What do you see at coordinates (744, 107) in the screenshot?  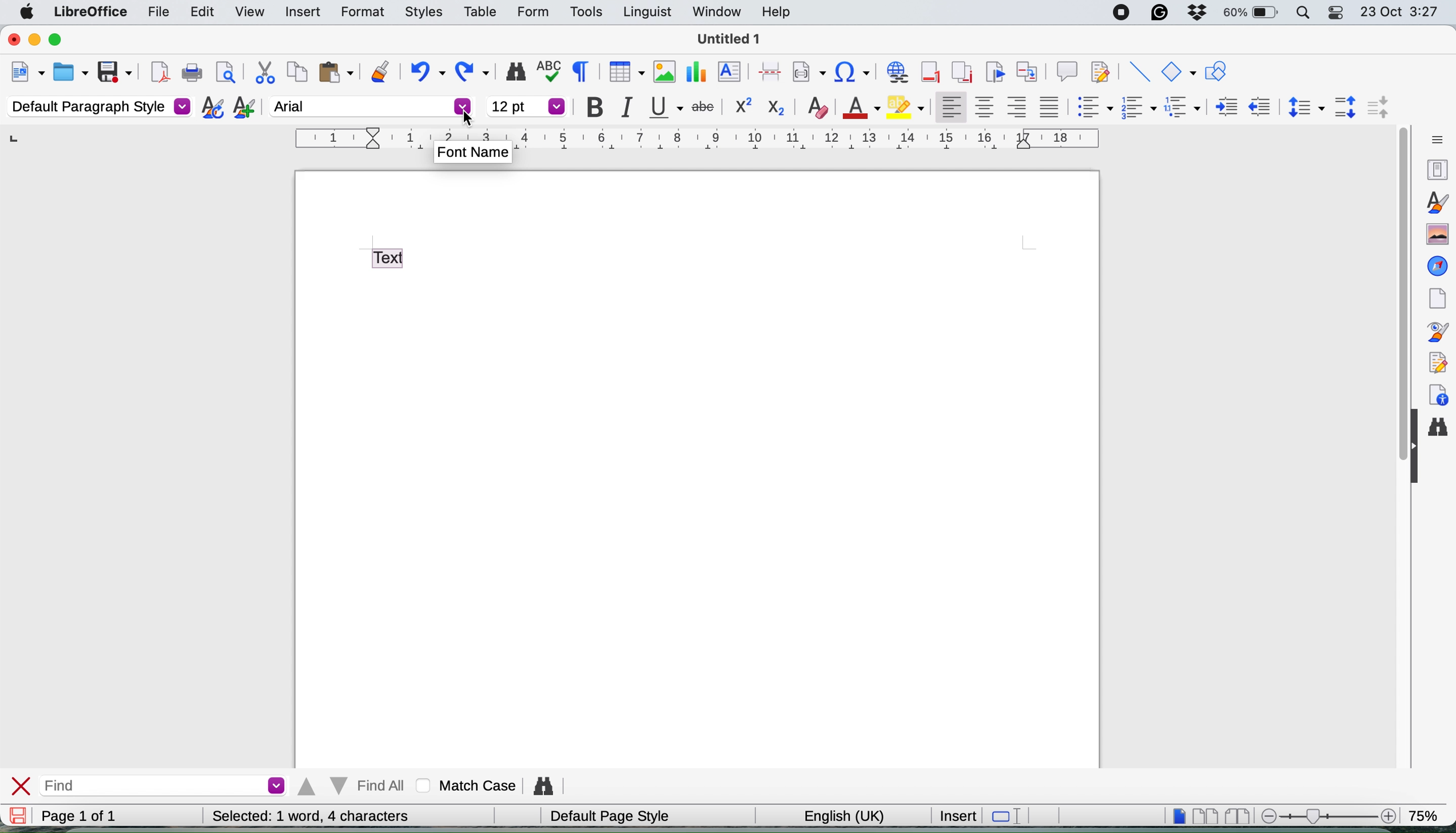 I see `superscrpit` at bounding box center [744, 107].